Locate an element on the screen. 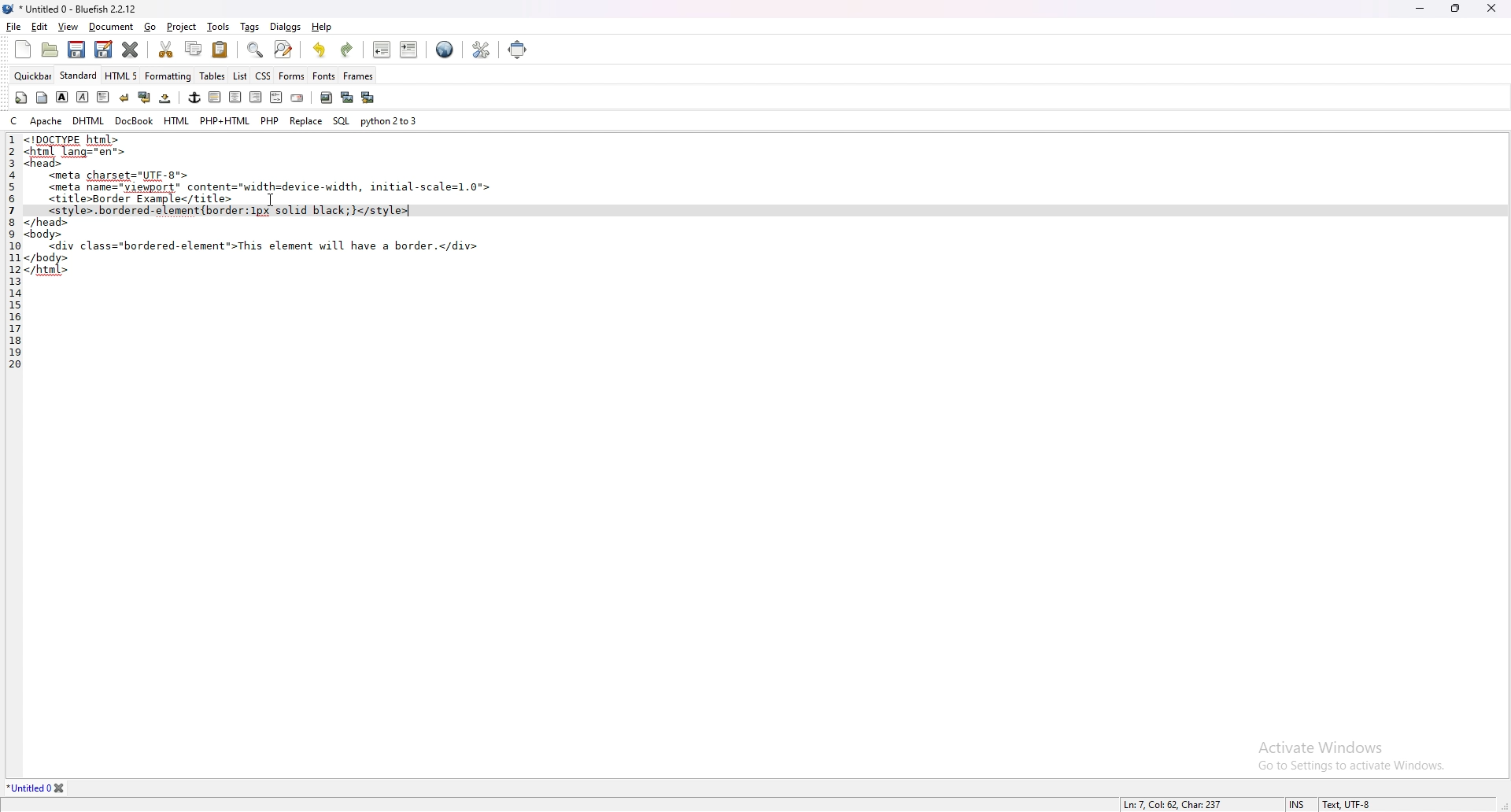 The image size is (1511, 812). edit is located at coordinates (39, 28).